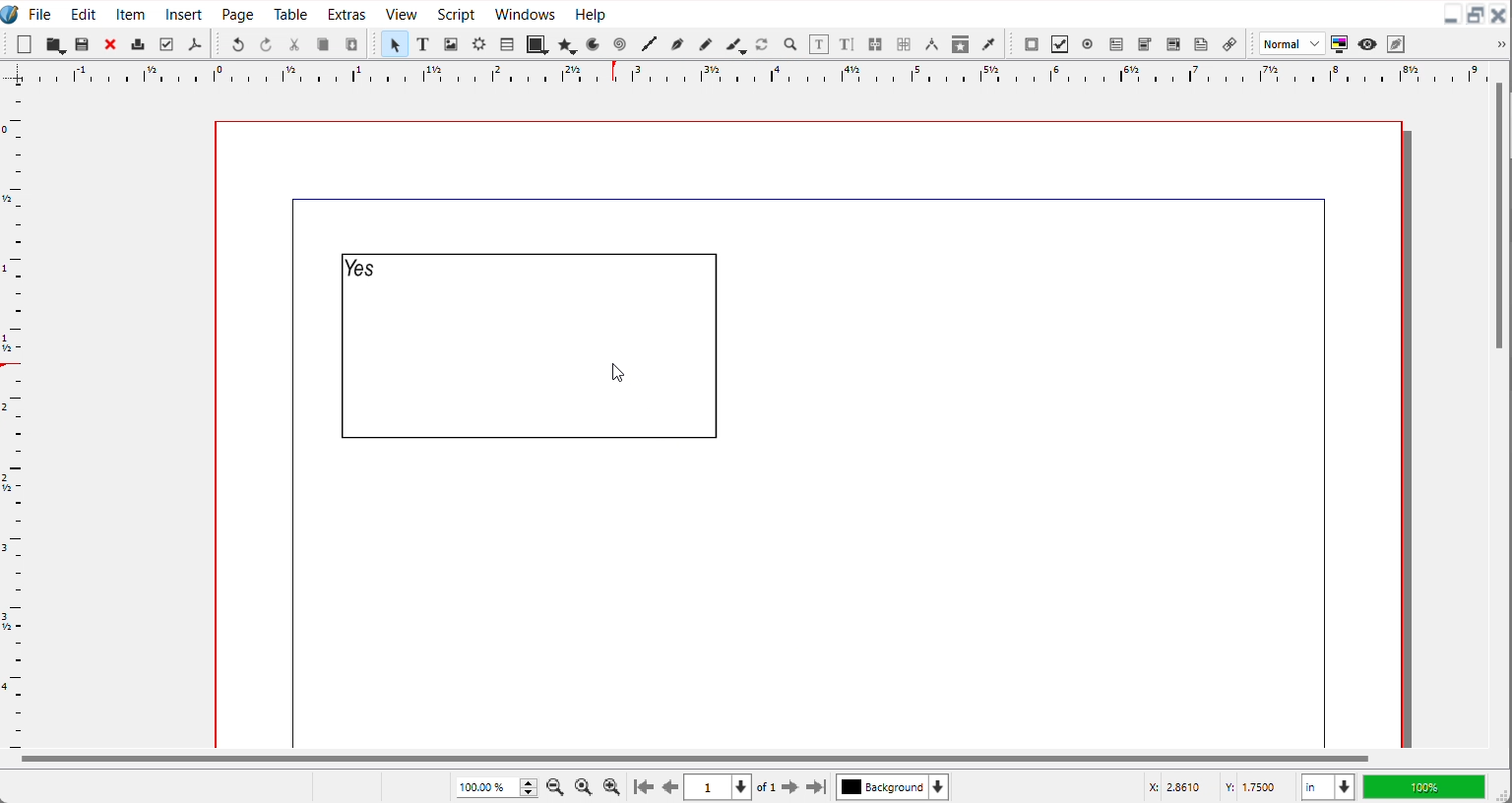  Describe the element at coordinates (498, 787) in the screenshot. I see `Adjust Zoom` at that location.